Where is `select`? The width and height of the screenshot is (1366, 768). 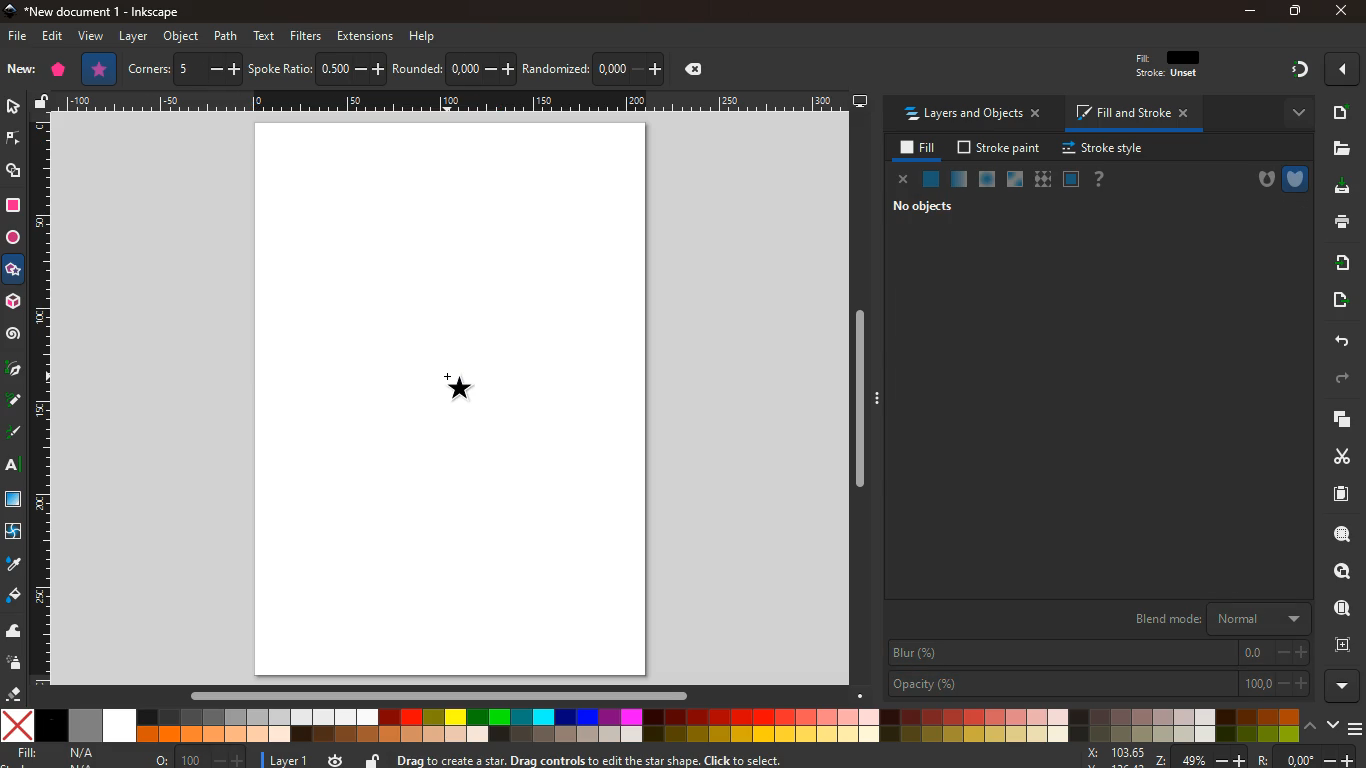
select is located at coordinates (15, 109).